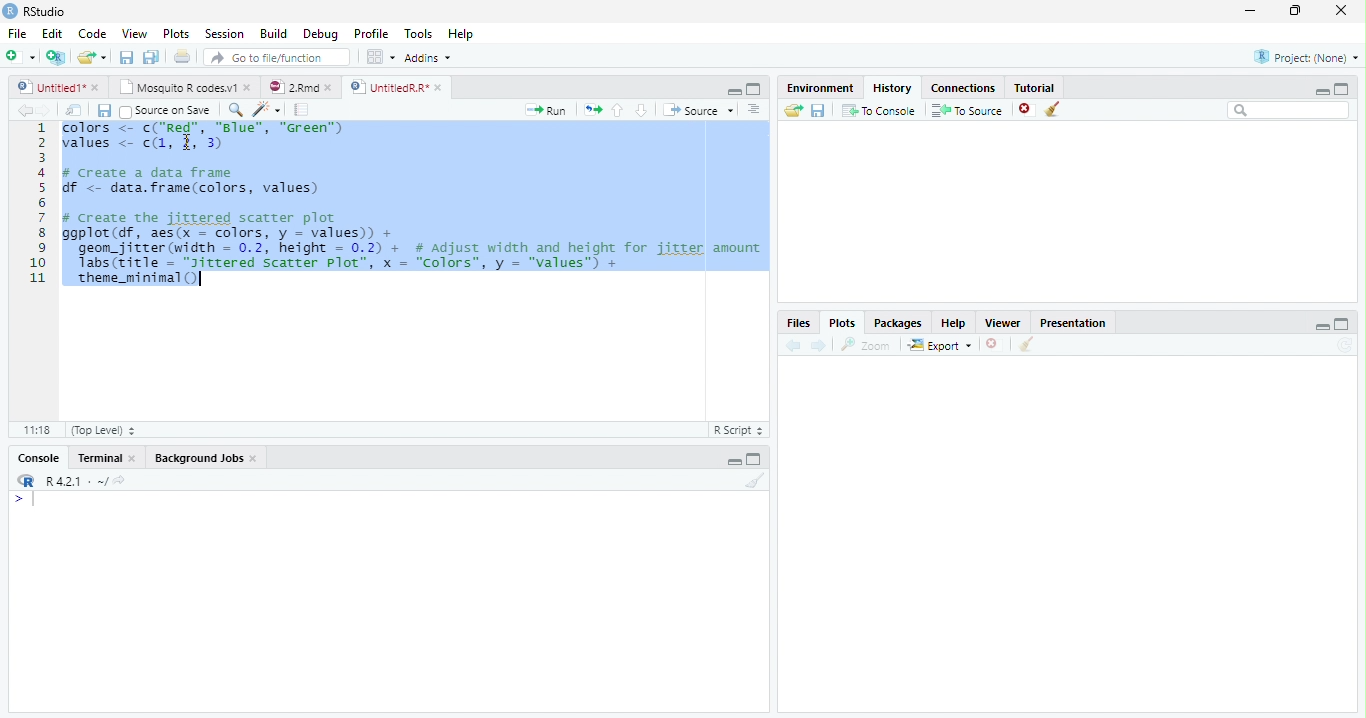 The width and height of the screenshot is (1366, 718). I want to click on Debug, so click(320, 34).